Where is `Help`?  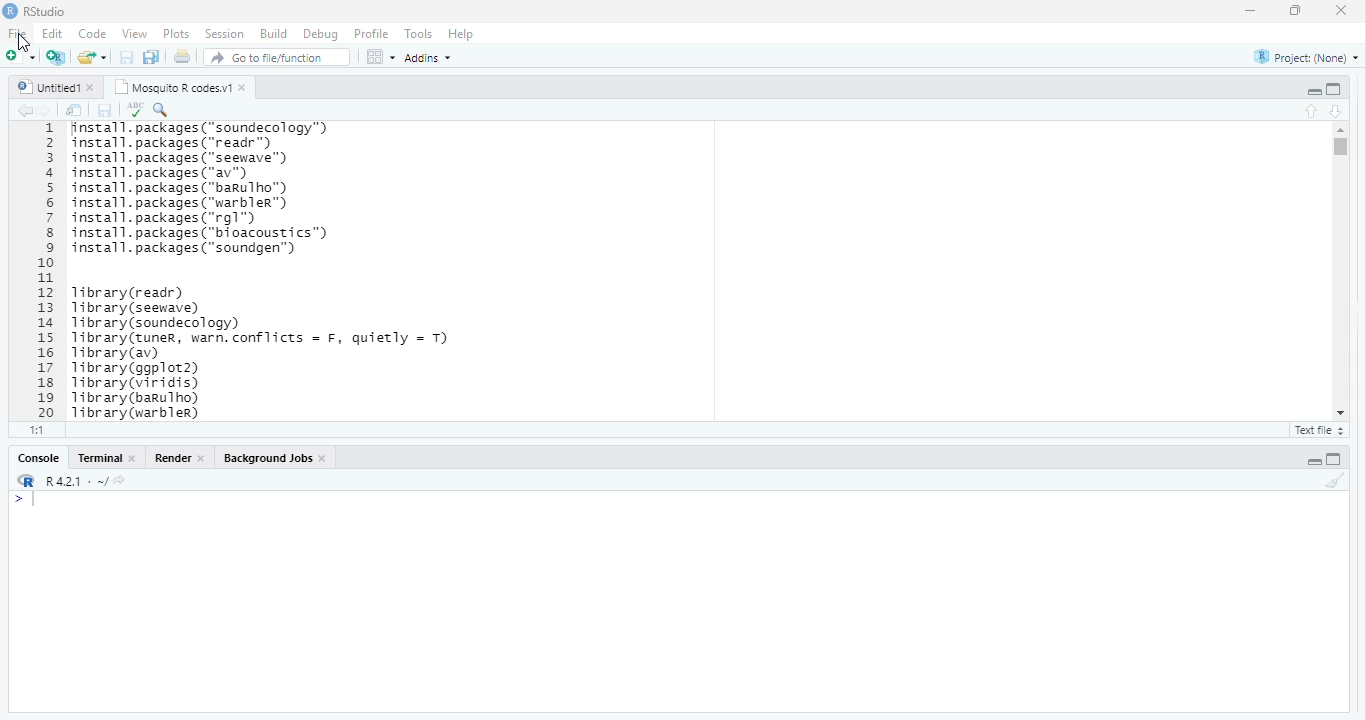
Help is located at coordinates (462, 34).